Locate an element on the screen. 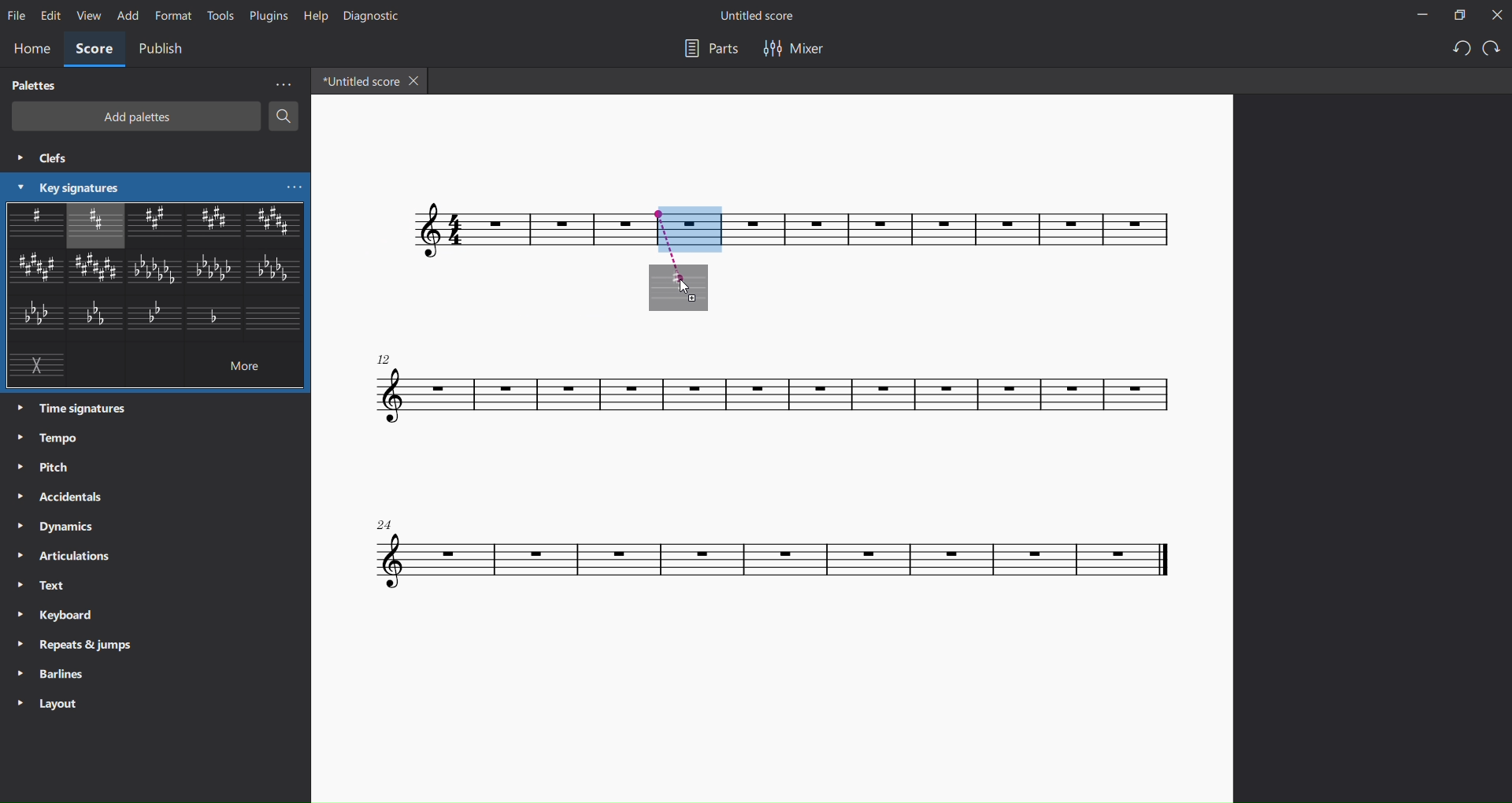  articulations is located at coordinates (70, 557).